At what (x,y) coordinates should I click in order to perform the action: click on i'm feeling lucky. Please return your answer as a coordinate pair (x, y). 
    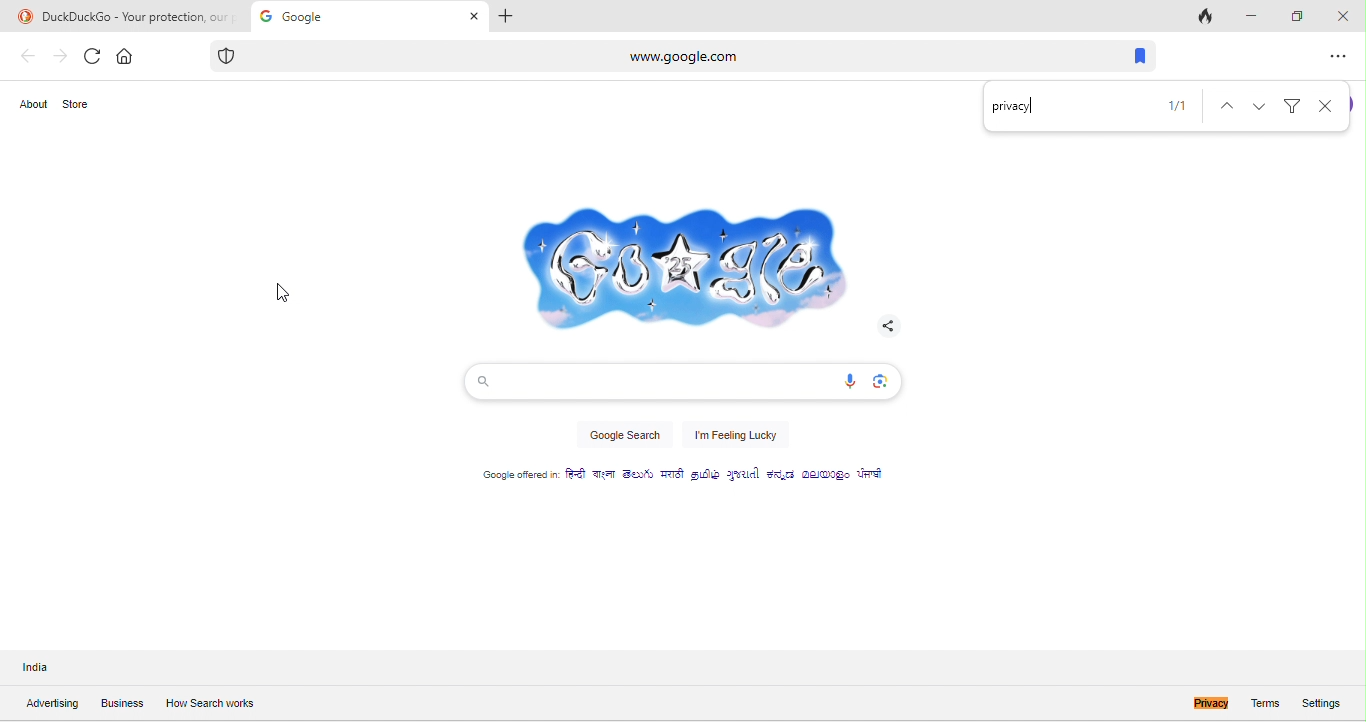
    Looking at the image, I should click on (736, 437).